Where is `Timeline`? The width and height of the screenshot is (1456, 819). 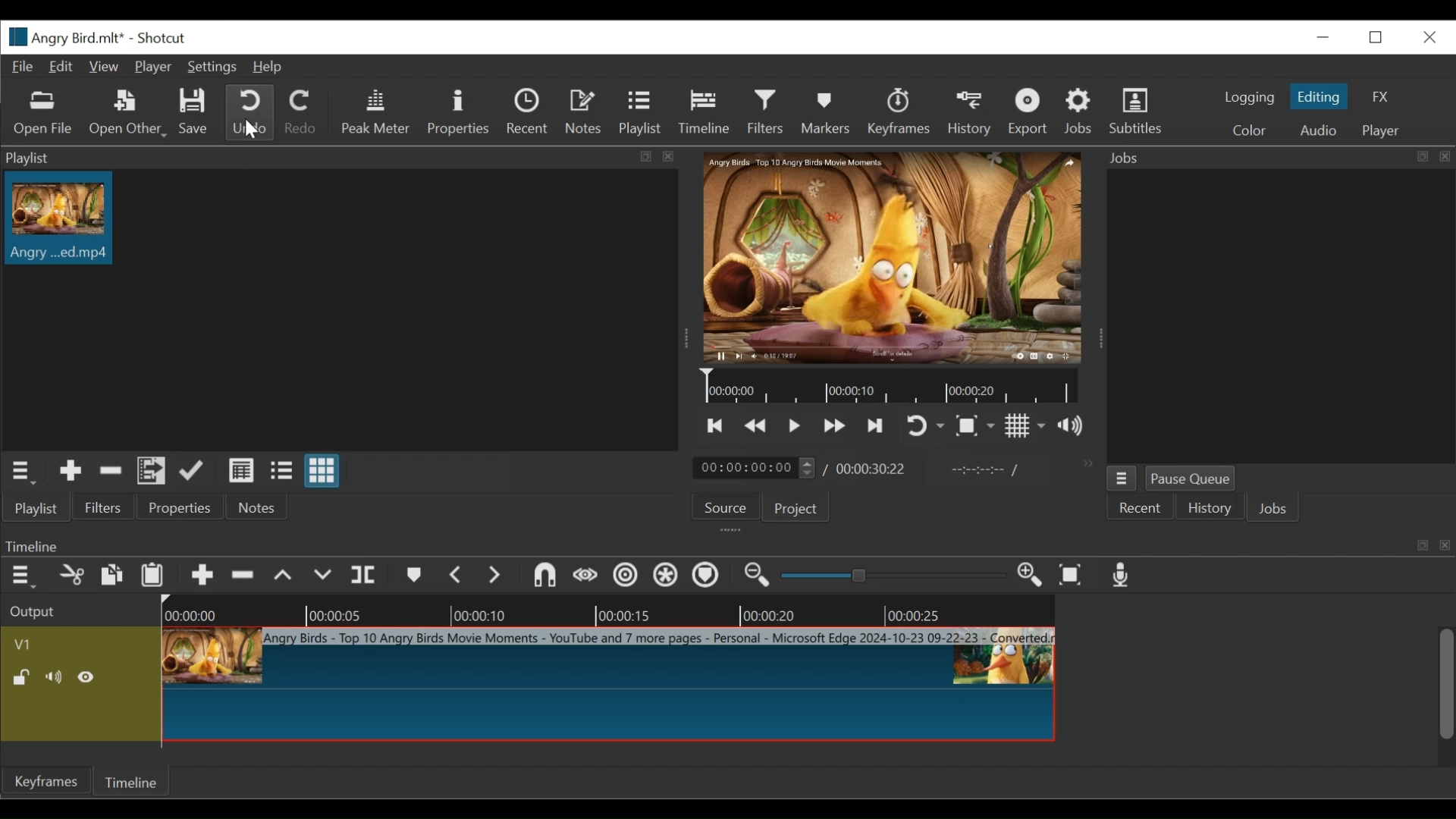
Timeline is located at coordinates (890, 387).